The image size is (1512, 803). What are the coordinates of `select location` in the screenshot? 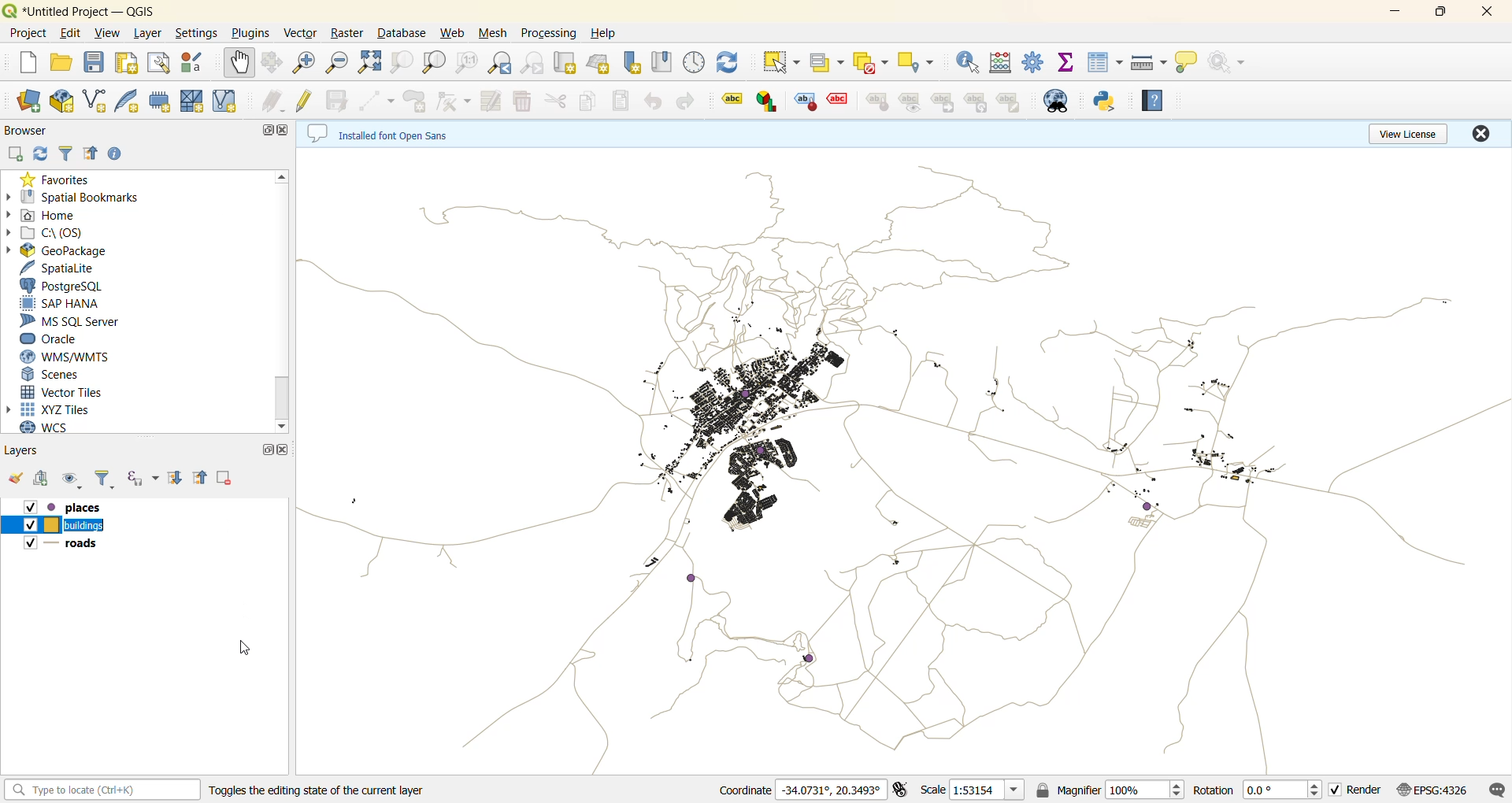 It's located at (914, 60).